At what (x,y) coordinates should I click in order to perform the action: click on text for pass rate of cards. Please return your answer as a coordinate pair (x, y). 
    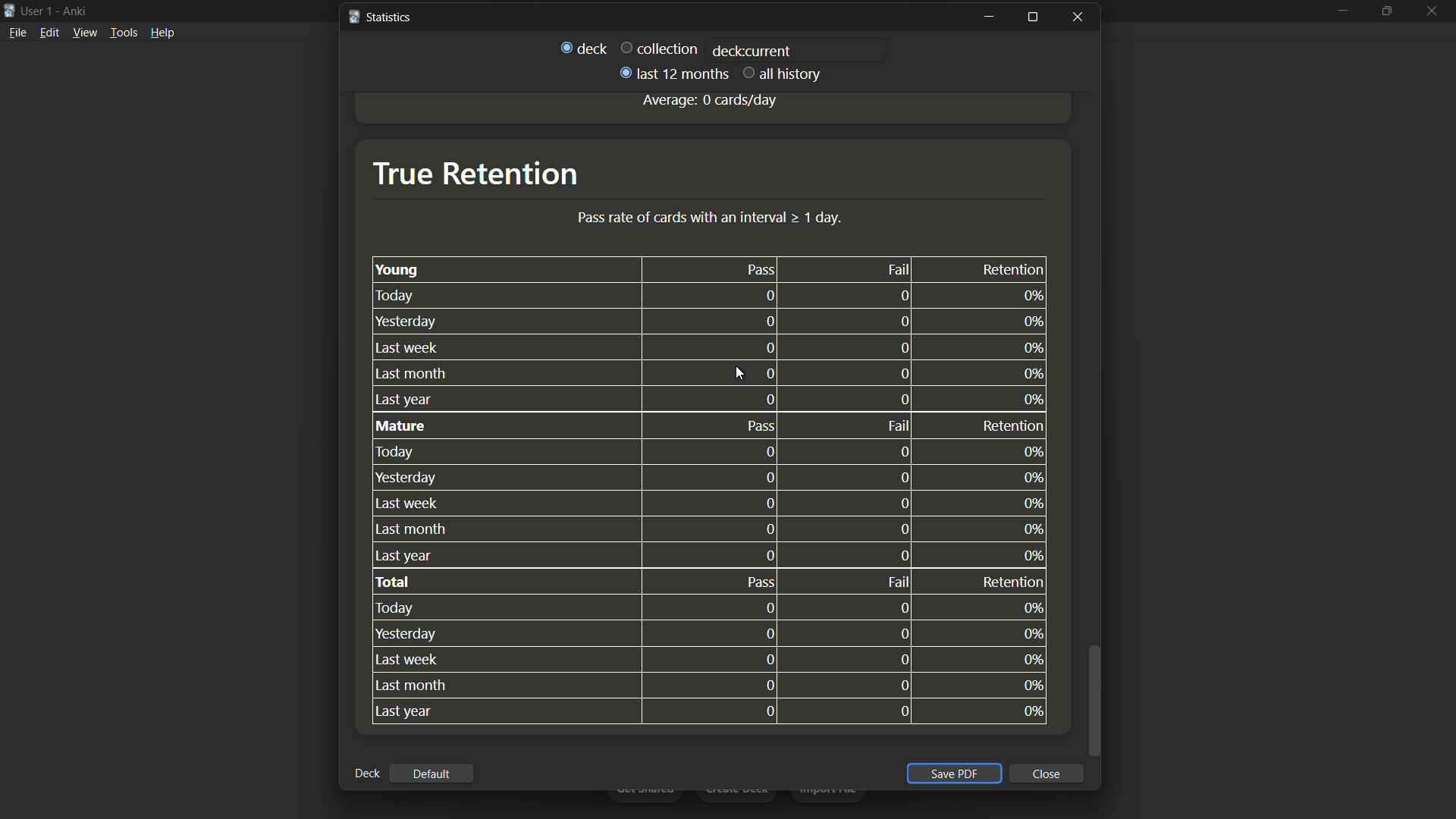
    Looking at the image, I should click on (711, 218).